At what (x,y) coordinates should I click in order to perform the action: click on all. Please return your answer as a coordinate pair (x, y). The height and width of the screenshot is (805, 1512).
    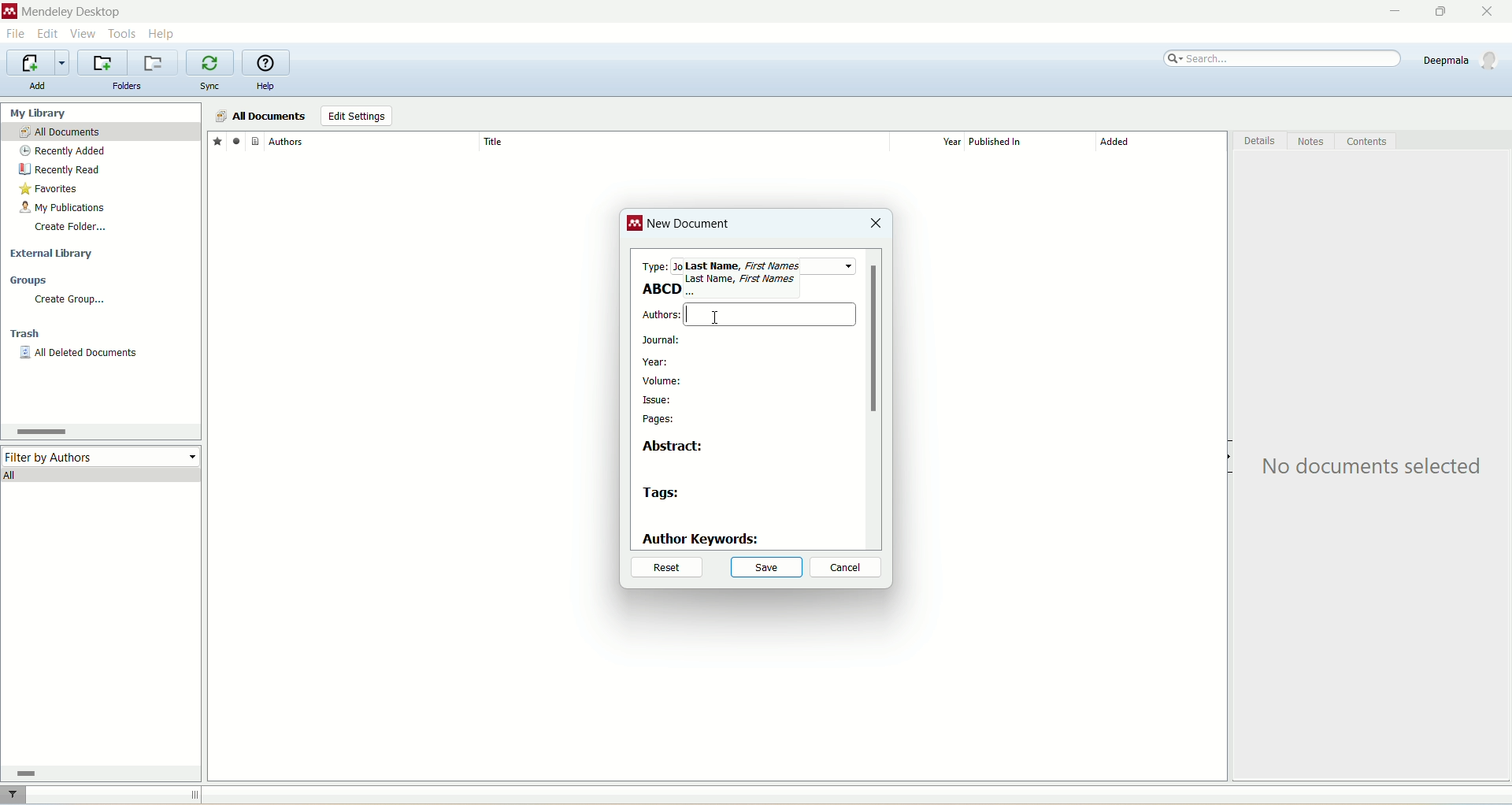
    Looking at the image, I should click on (102, 474).